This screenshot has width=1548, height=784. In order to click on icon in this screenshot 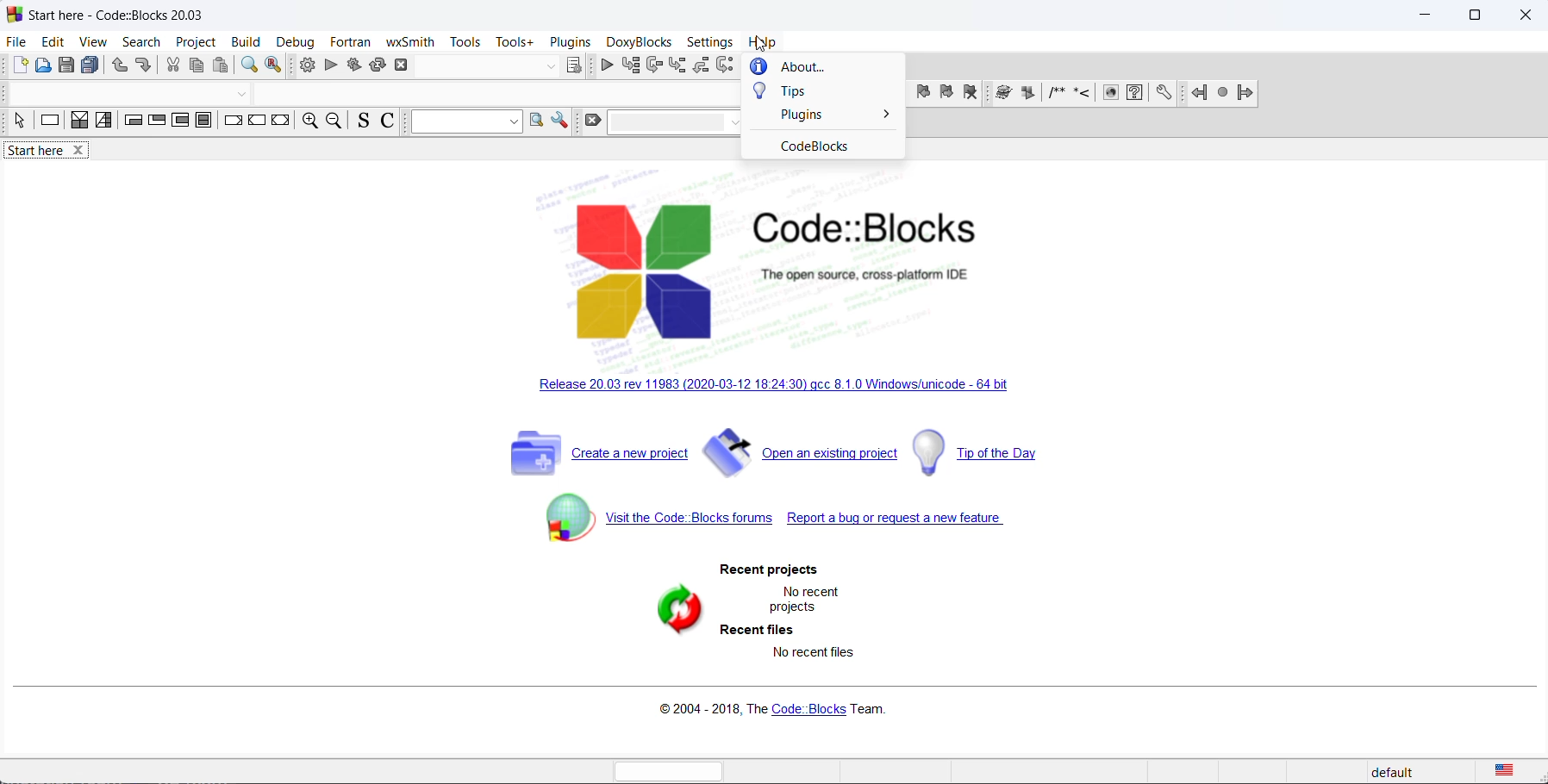, I will do `click(1003, 94)`.